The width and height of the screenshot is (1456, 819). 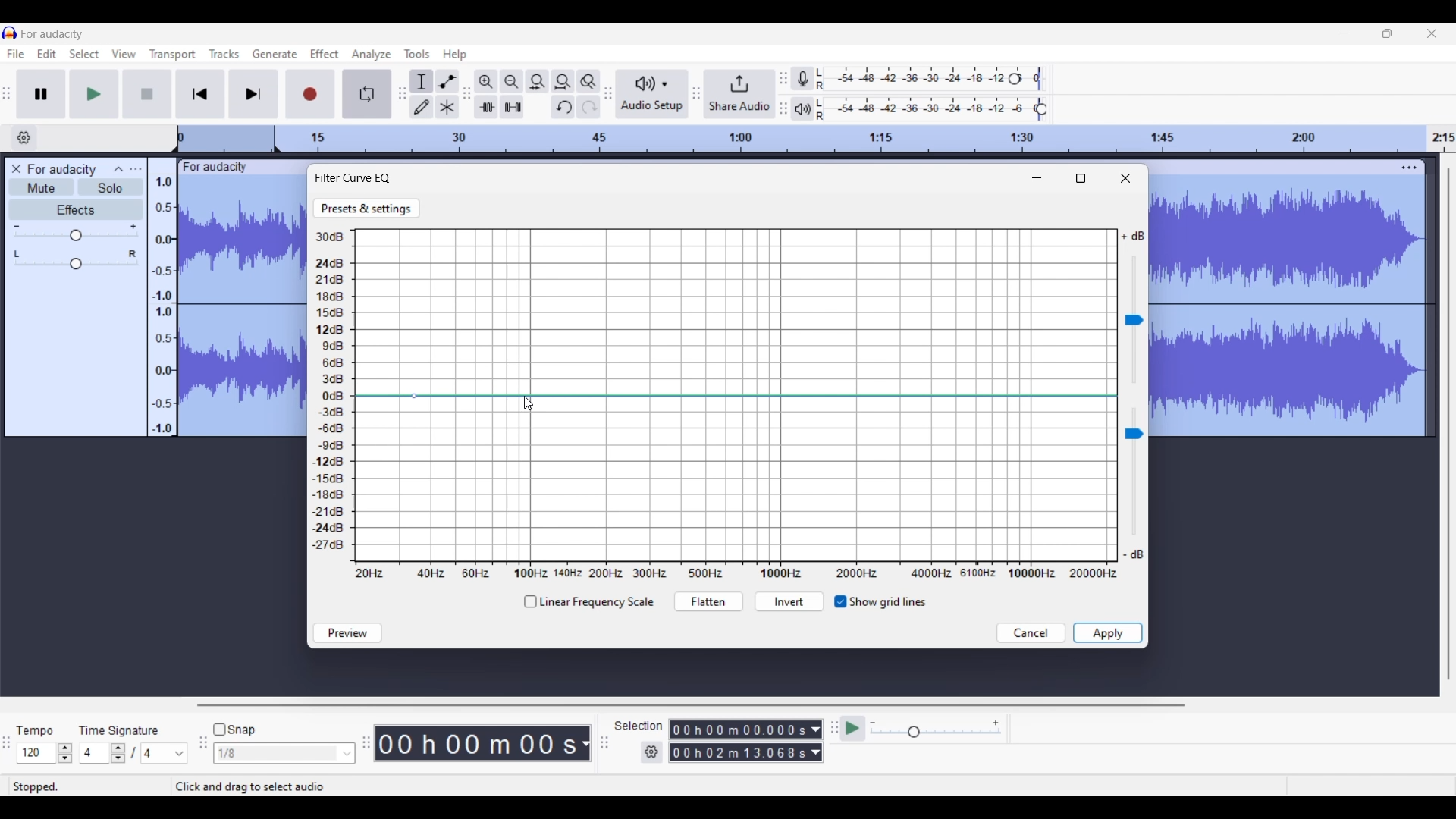 What do you see at coordinates (1042, 109) in the screenshot?
I see `Playback level header` at bounding box center [1042, 109].